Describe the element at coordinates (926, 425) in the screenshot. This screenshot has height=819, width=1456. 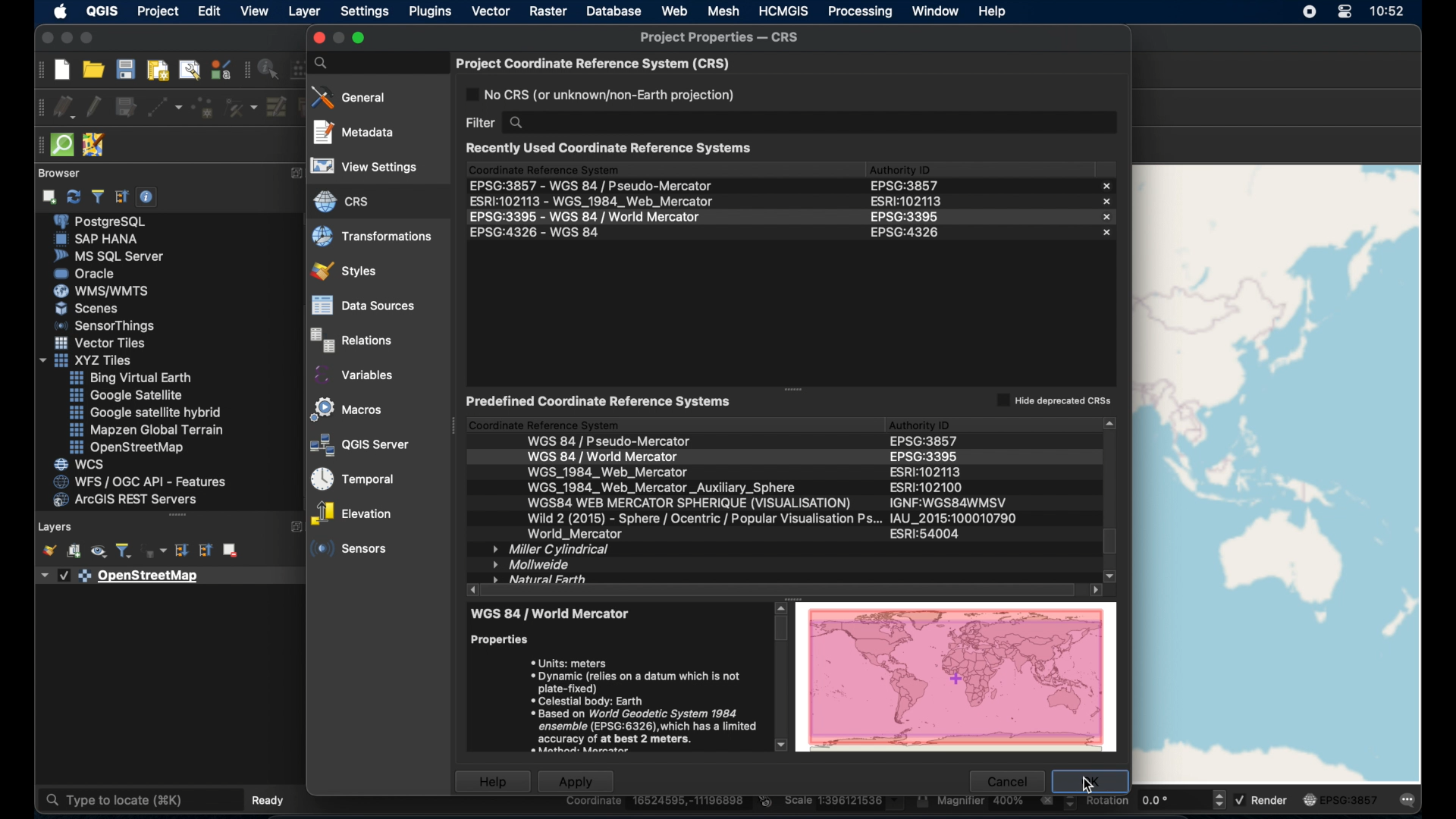
I see `authority id` at that location.